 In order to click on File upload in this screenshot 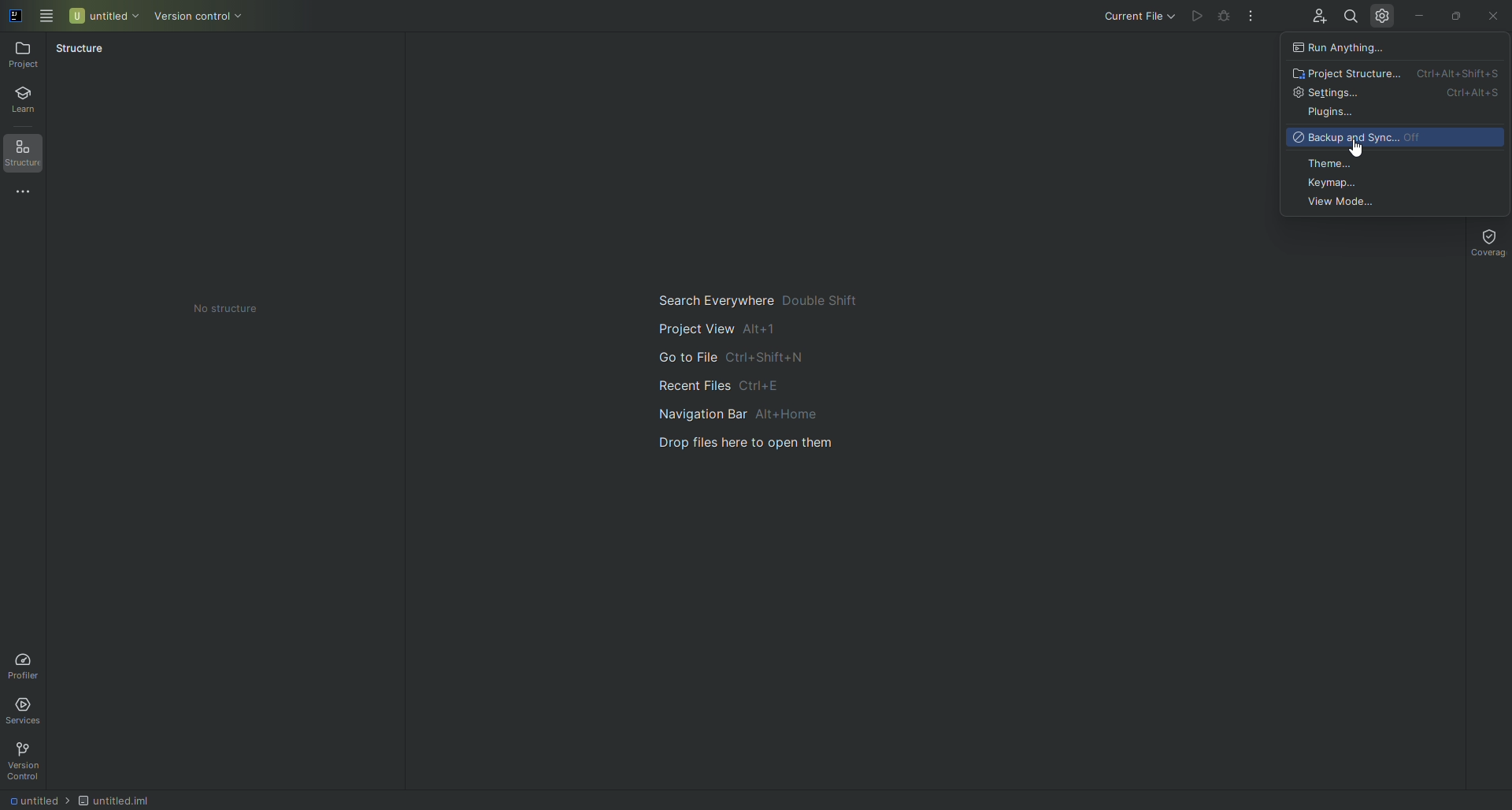, I will do `click(756, 443)`.